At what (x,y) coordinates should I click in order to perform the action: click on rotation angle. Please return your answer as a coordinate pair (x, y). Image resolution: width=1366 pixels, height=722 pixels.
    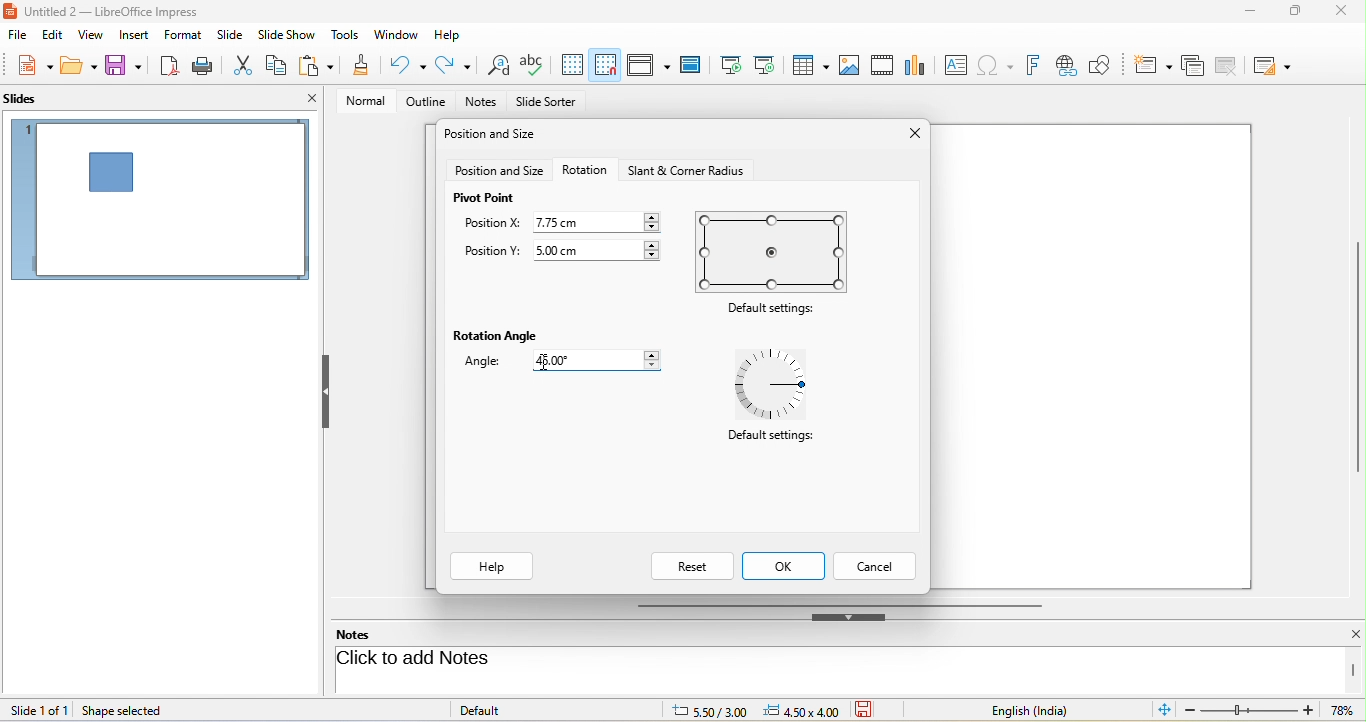
    Looking at the image, I should click on (498, 337).